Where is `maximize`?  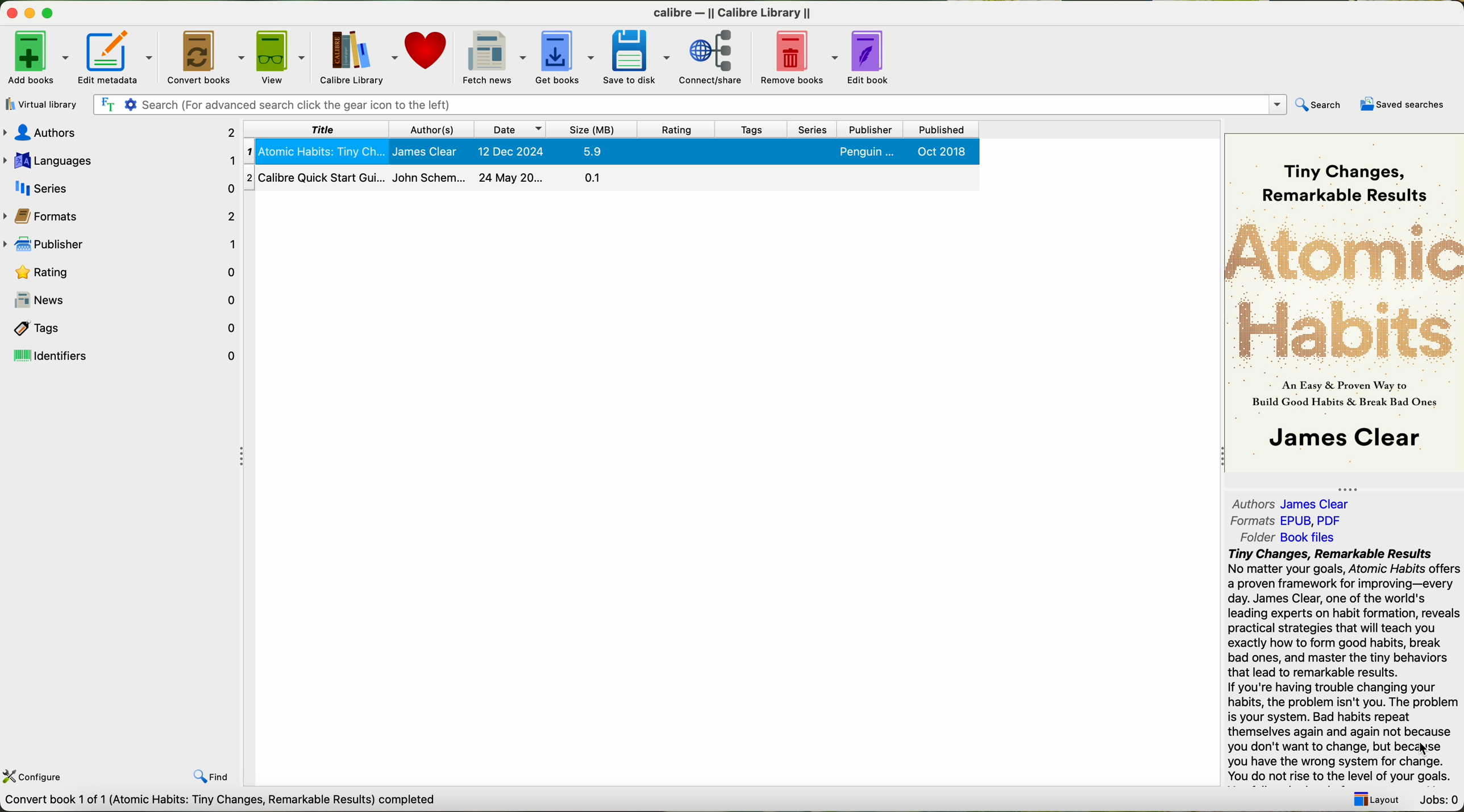
maximize is located at coordinates (50, 10).